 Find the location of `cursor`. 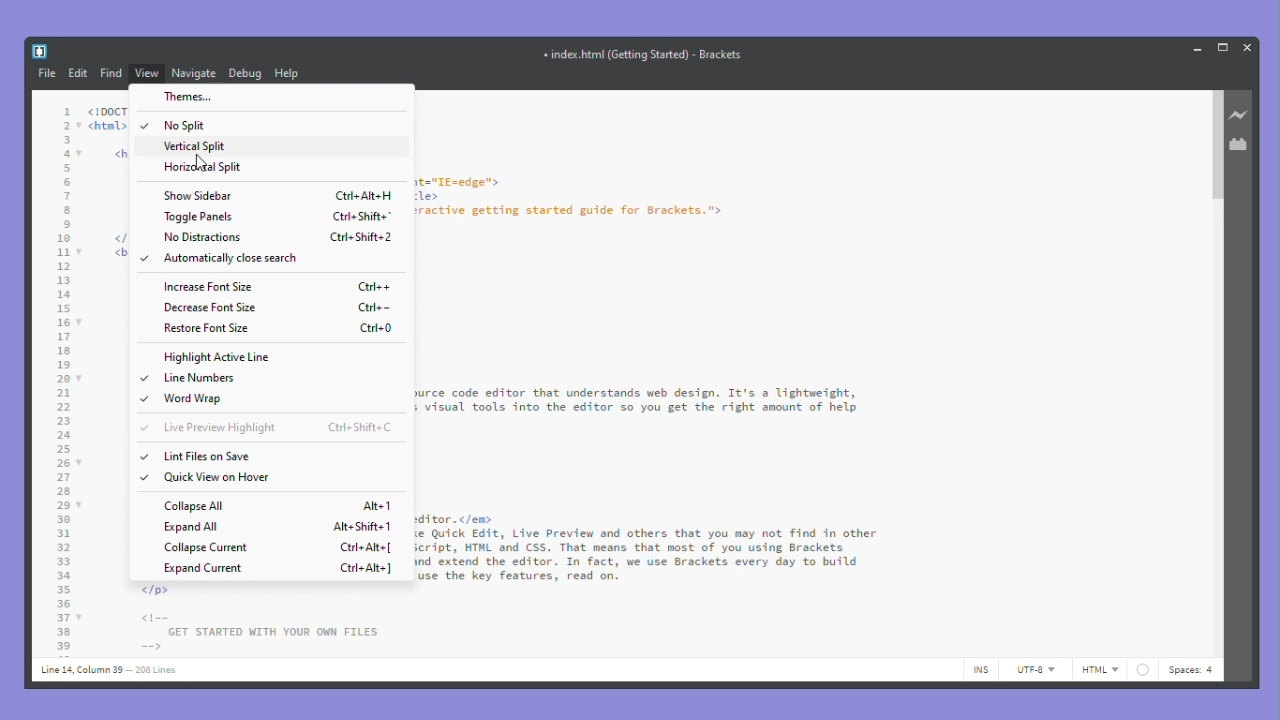

cursor is located at coordinates (201, 161).